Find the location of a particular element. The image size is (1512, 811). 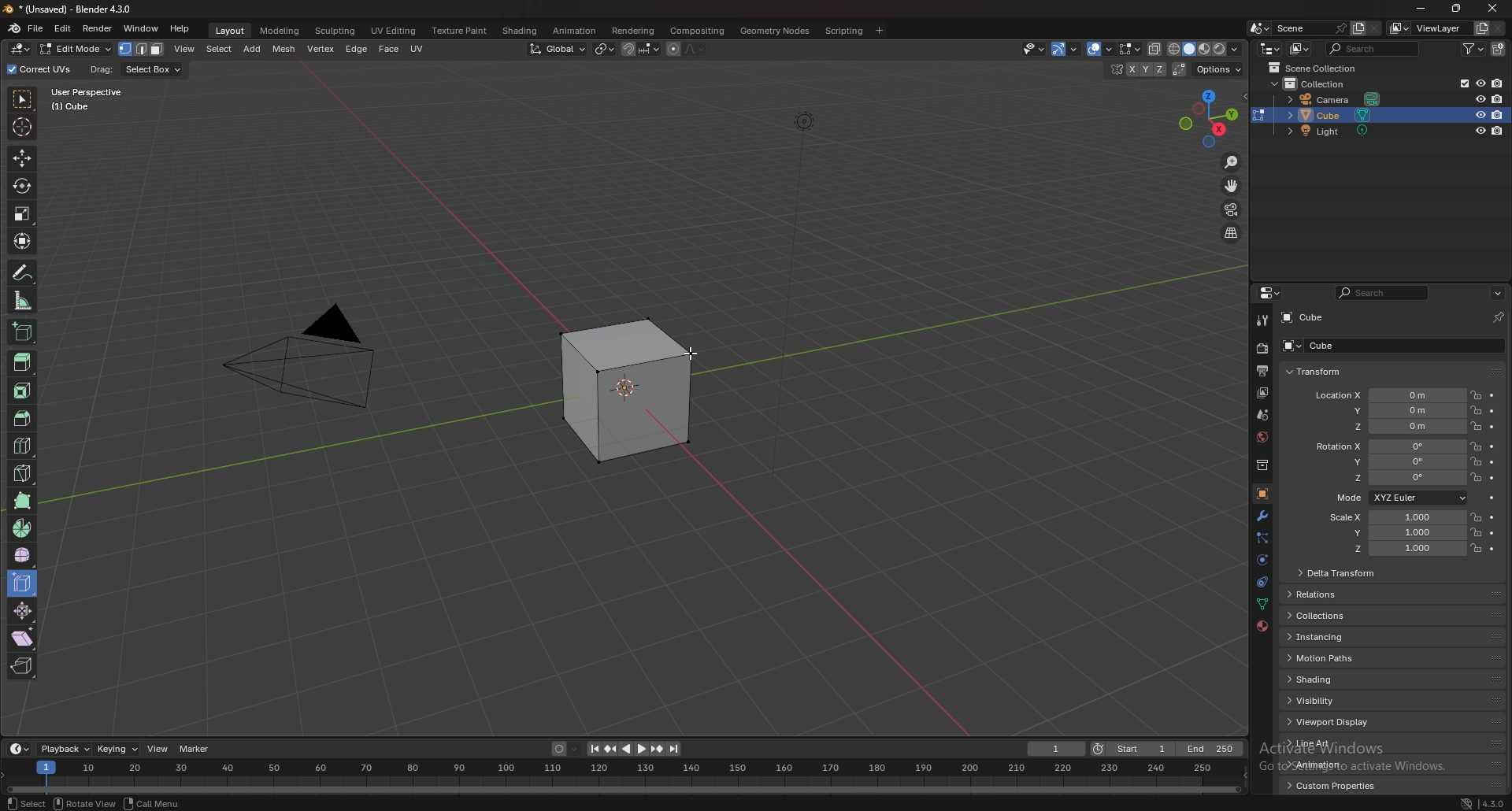

hide in viewport is located at coordinates (1478, 131).